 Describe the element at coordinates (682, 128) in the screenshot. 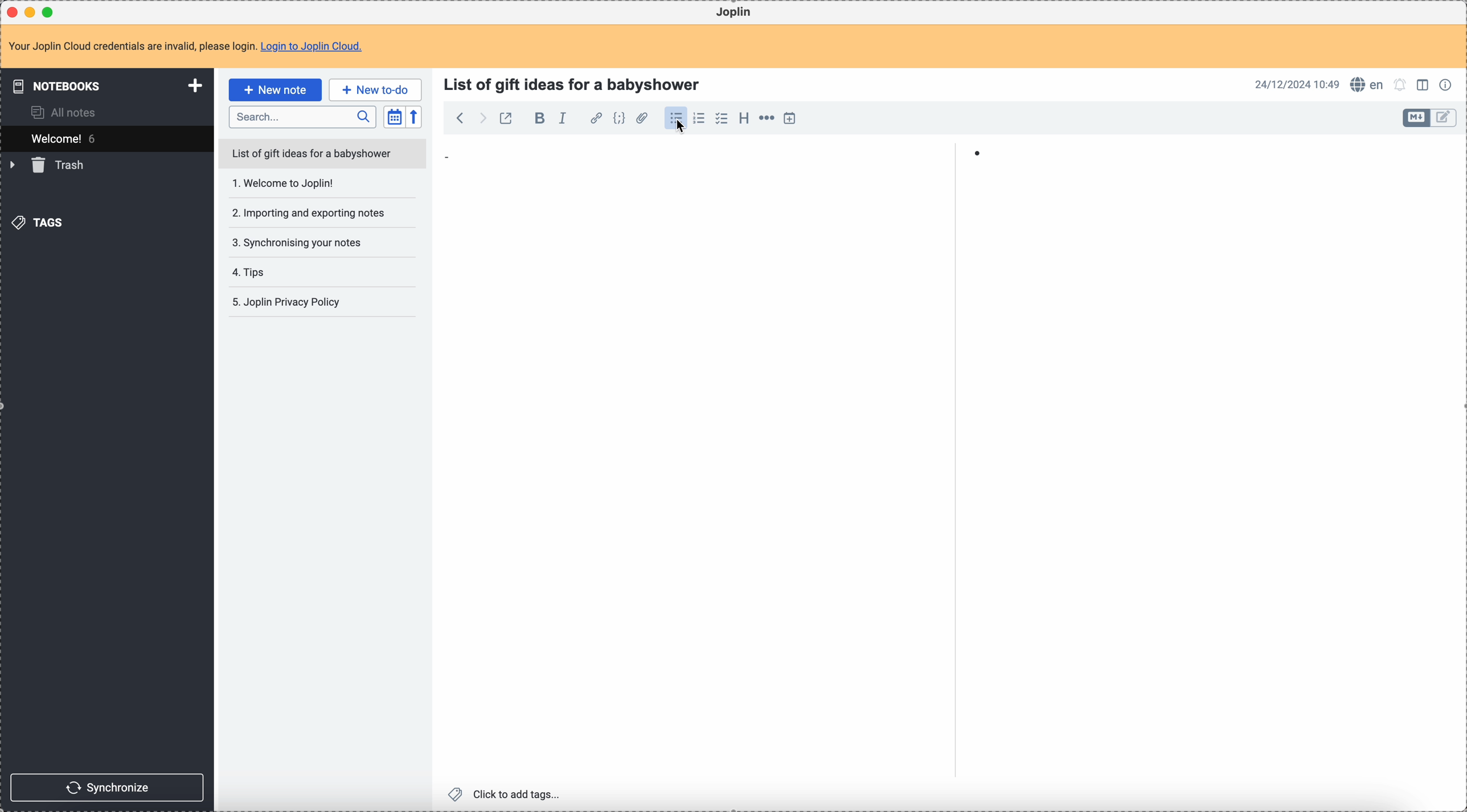

I see `Cursor` at that location.